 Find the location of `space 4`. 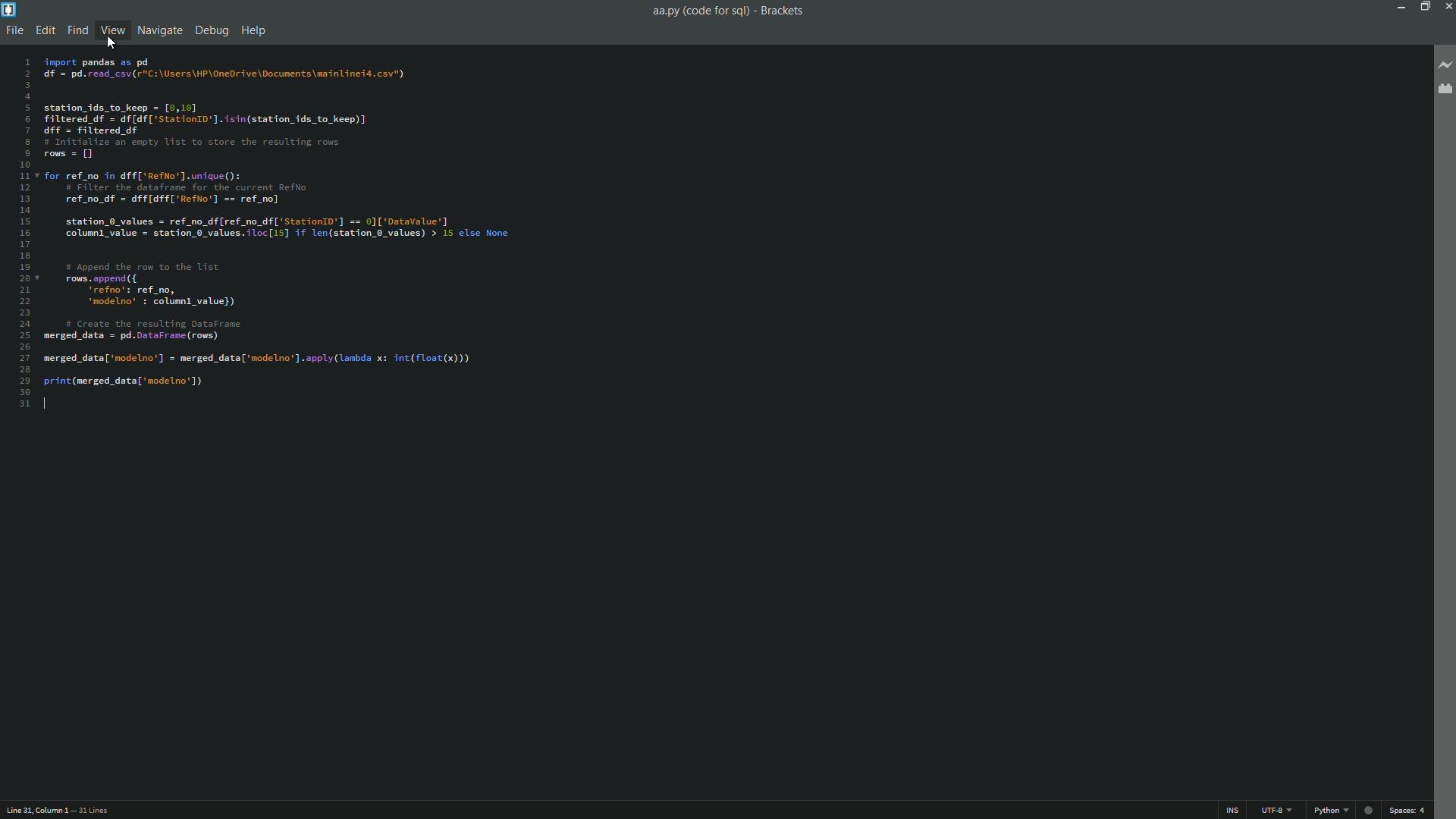

space 4 is located at coordinates (1405, 809).